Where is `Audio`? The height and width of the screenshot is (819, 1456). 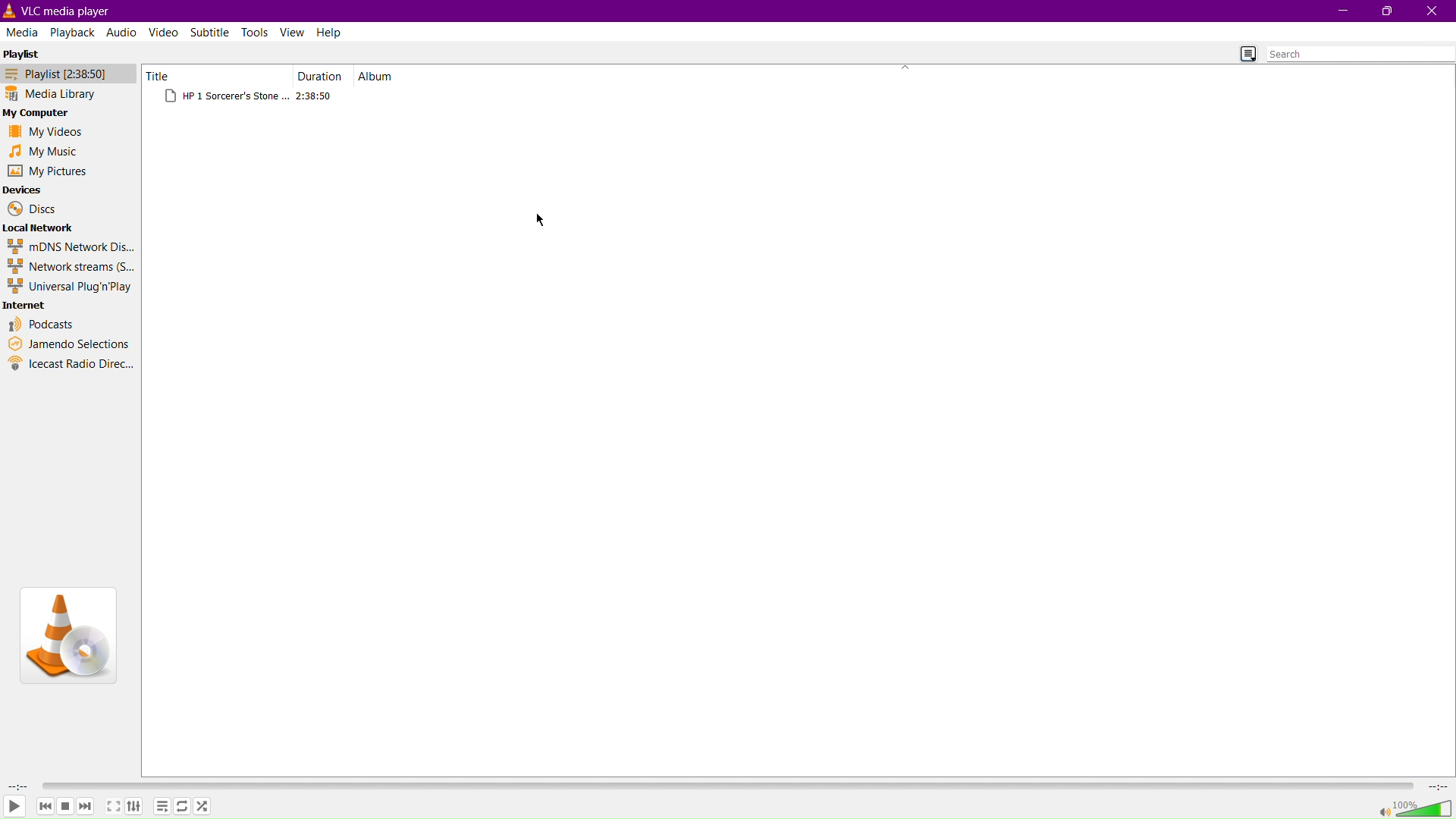
Audio is located at coordinates (121, 32).